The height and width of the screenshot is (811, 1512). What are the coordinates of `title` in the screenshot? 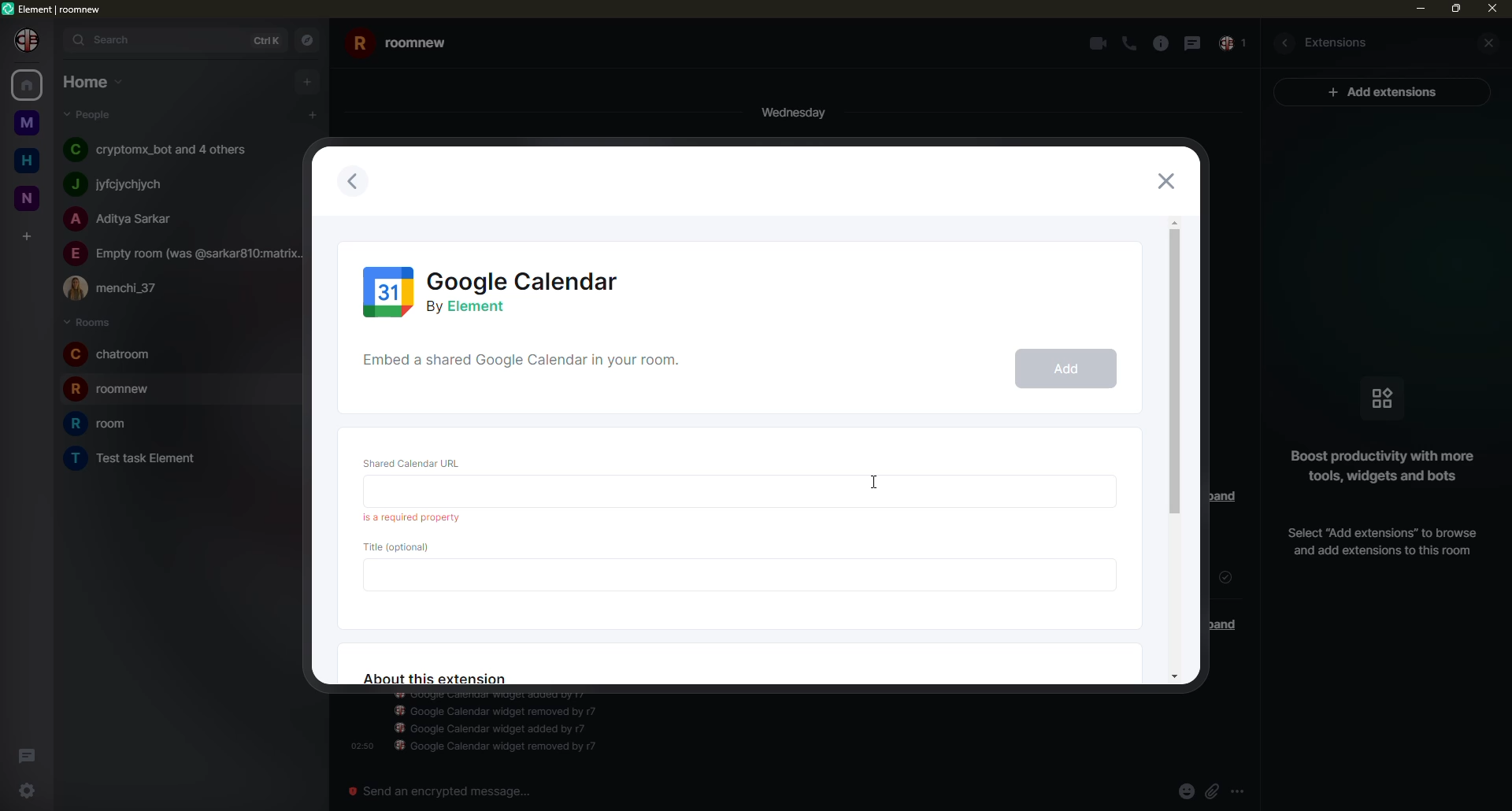 It's located at (402, 546).